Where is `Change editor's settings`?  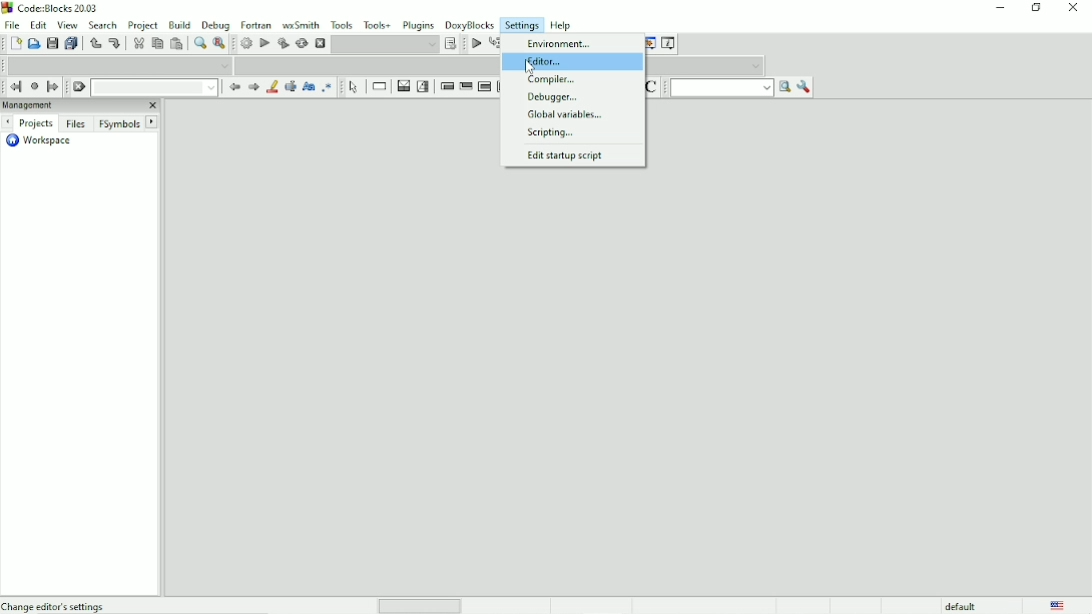 Change editor's settings is located at coordinates (59, 605).